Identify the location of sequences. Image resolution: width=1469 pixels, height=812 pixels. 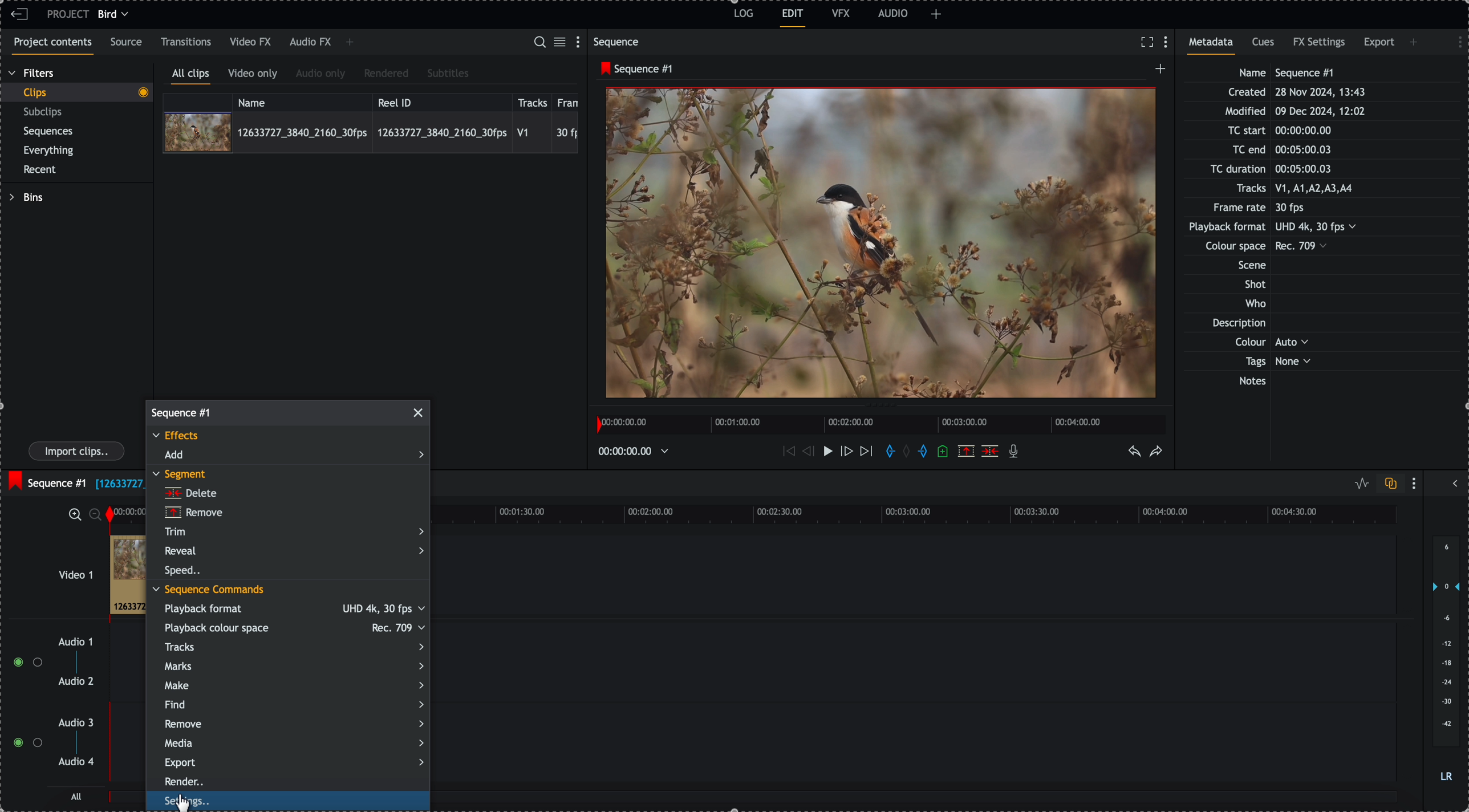
(48, 133).